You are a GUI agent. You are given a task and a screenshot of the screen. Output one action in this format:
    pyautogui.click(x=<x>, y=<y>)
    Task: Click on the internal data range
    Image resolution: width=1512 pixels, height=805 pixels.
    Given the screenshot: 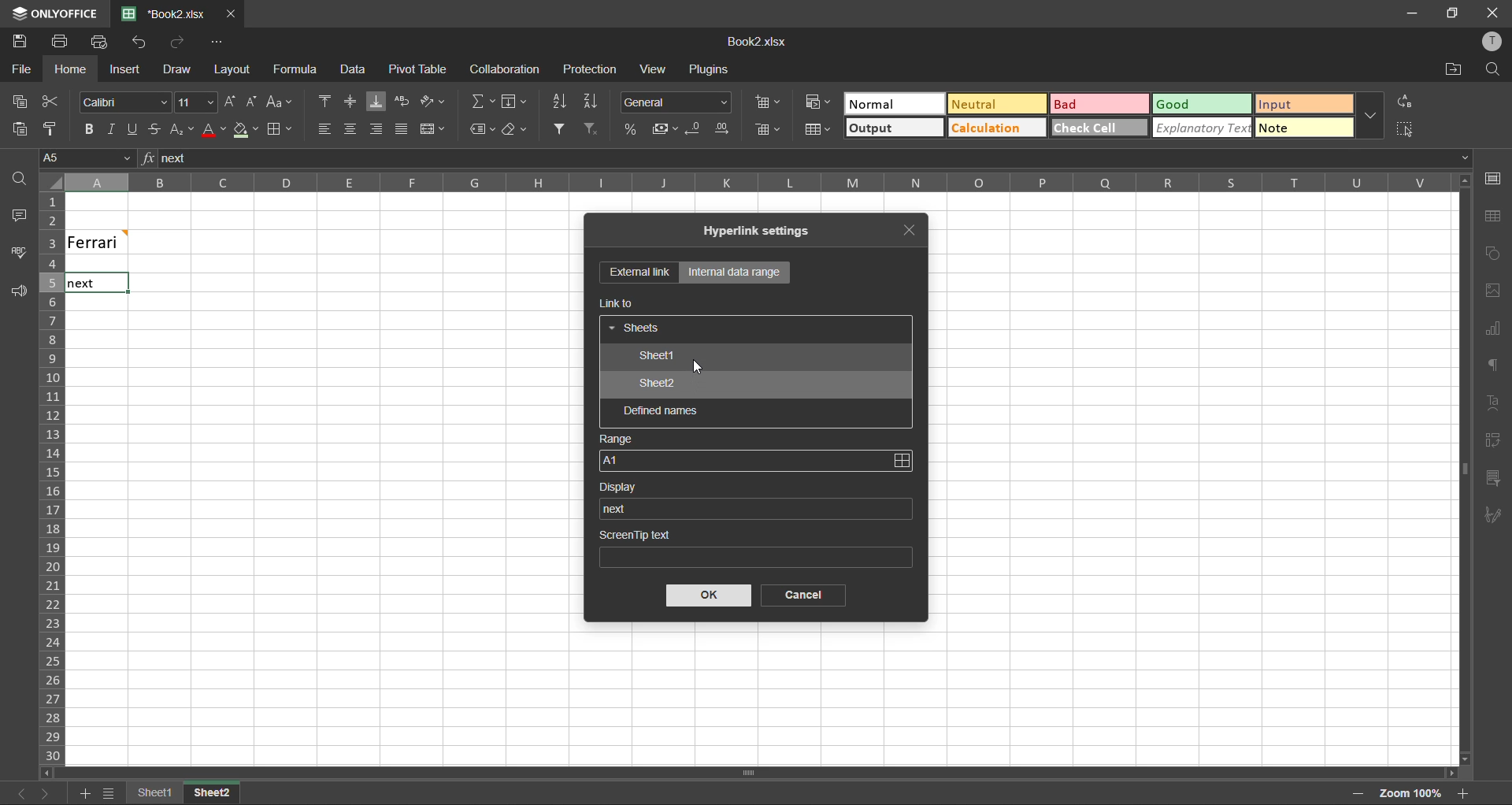 What is the action you would take?
    pyautogui.click(x=733, y=273)
    